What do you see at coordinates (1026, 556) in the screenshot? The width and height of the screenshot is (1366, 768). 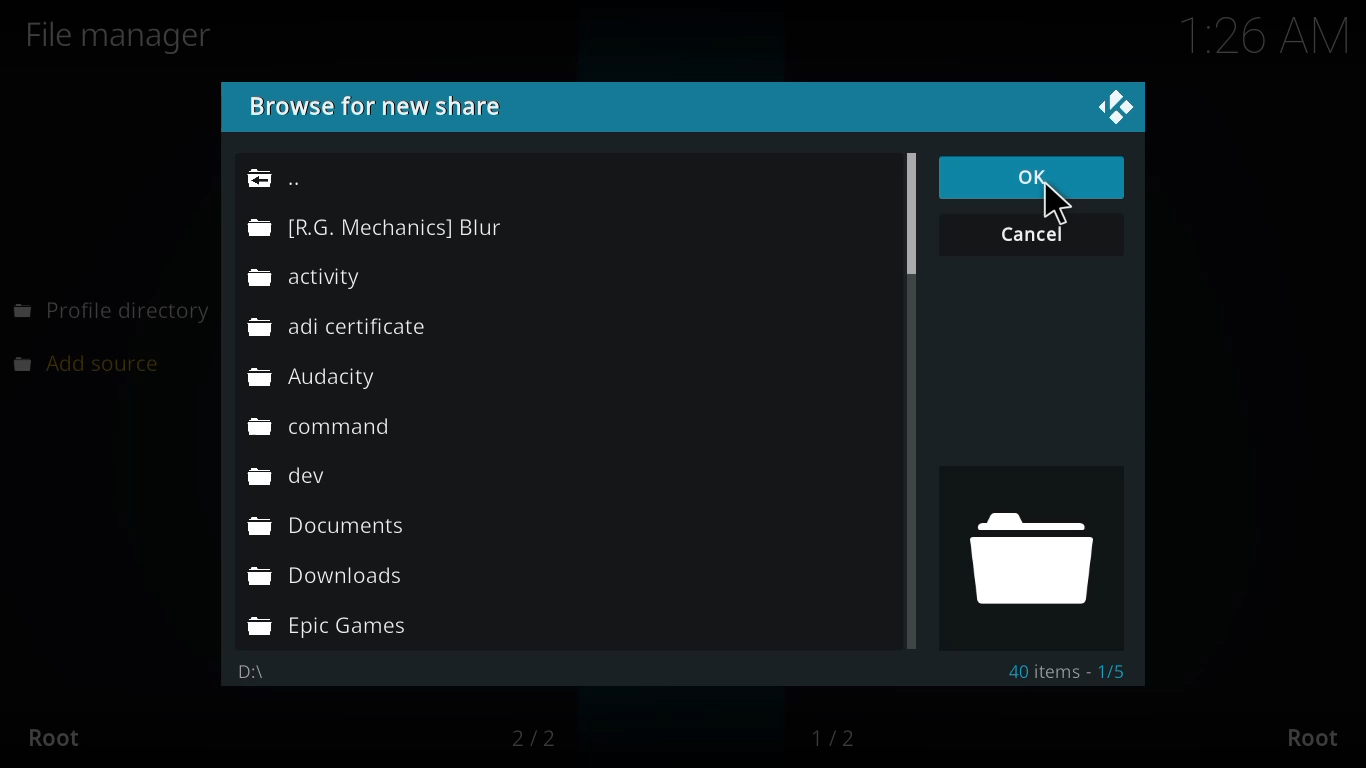 I see `d` at bounding box center [1026, 556].